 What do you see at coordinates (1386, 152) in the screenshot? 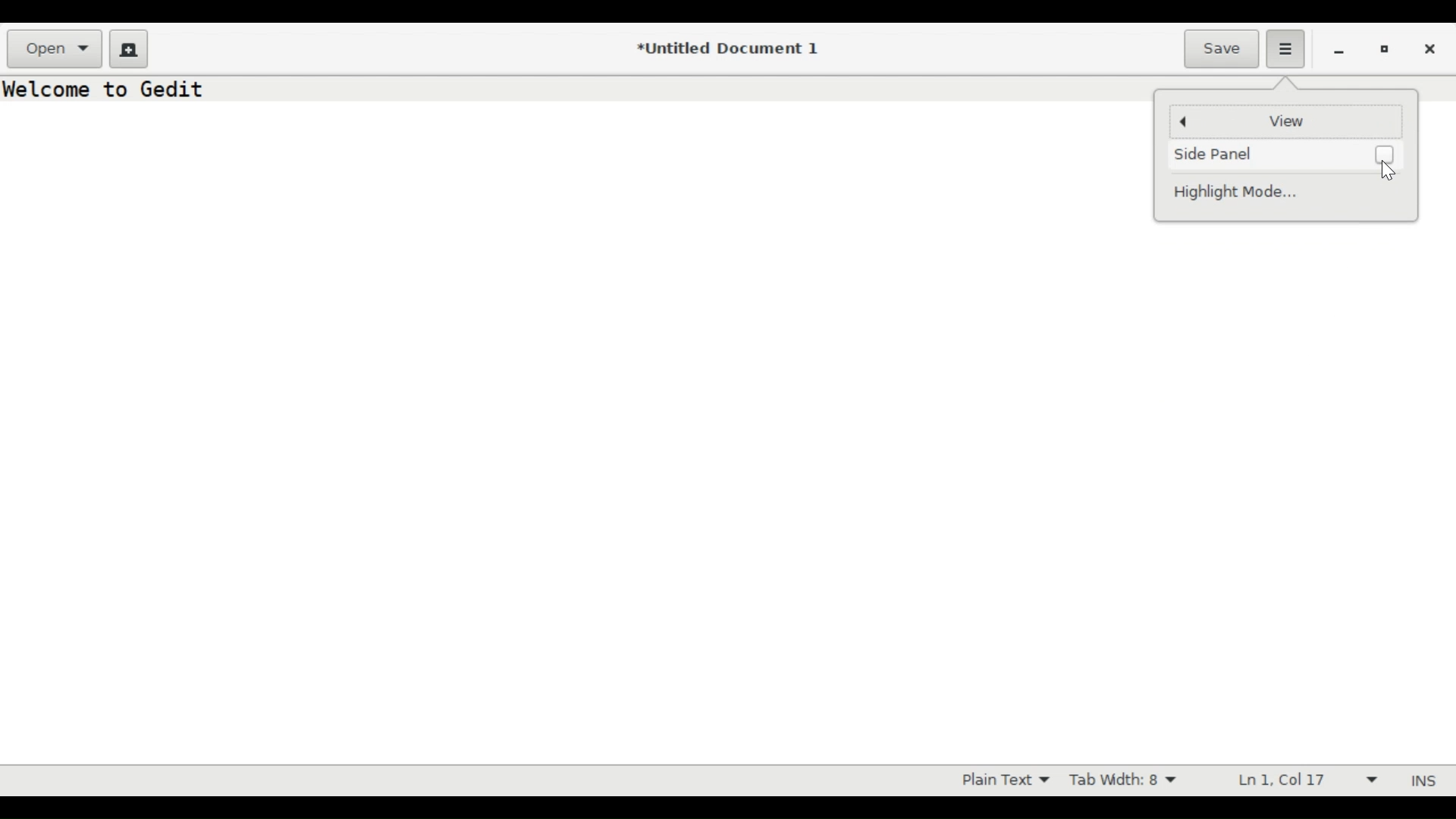
I see `checkbox` at bounding box center [1386, 152].